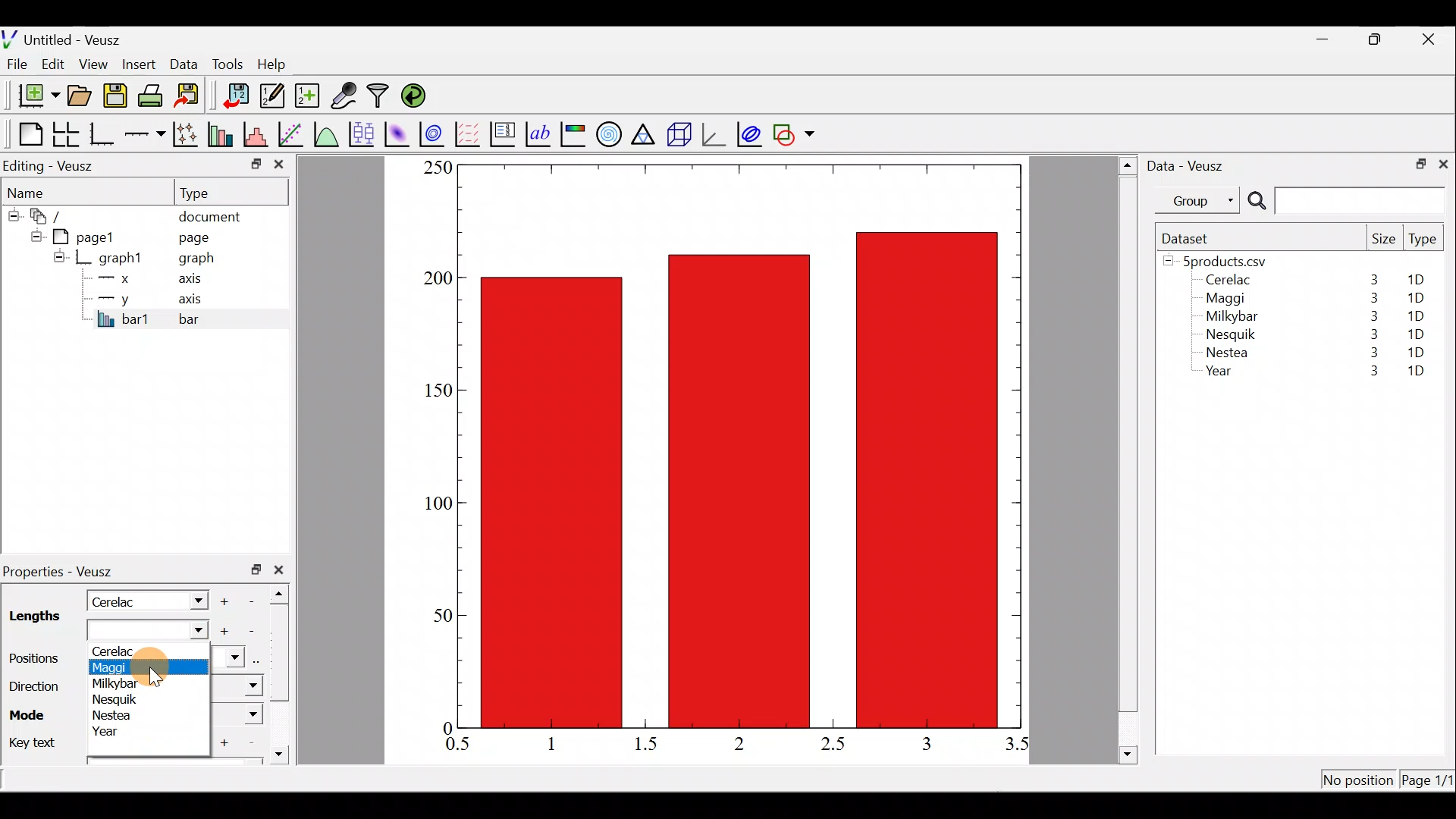 Image resolution: width=1456 pixels, height=819 pixels. What do you see at coordinates (191, 600) in the screenshot?
I see `Length dropdown` at bounding box center [191, 600].